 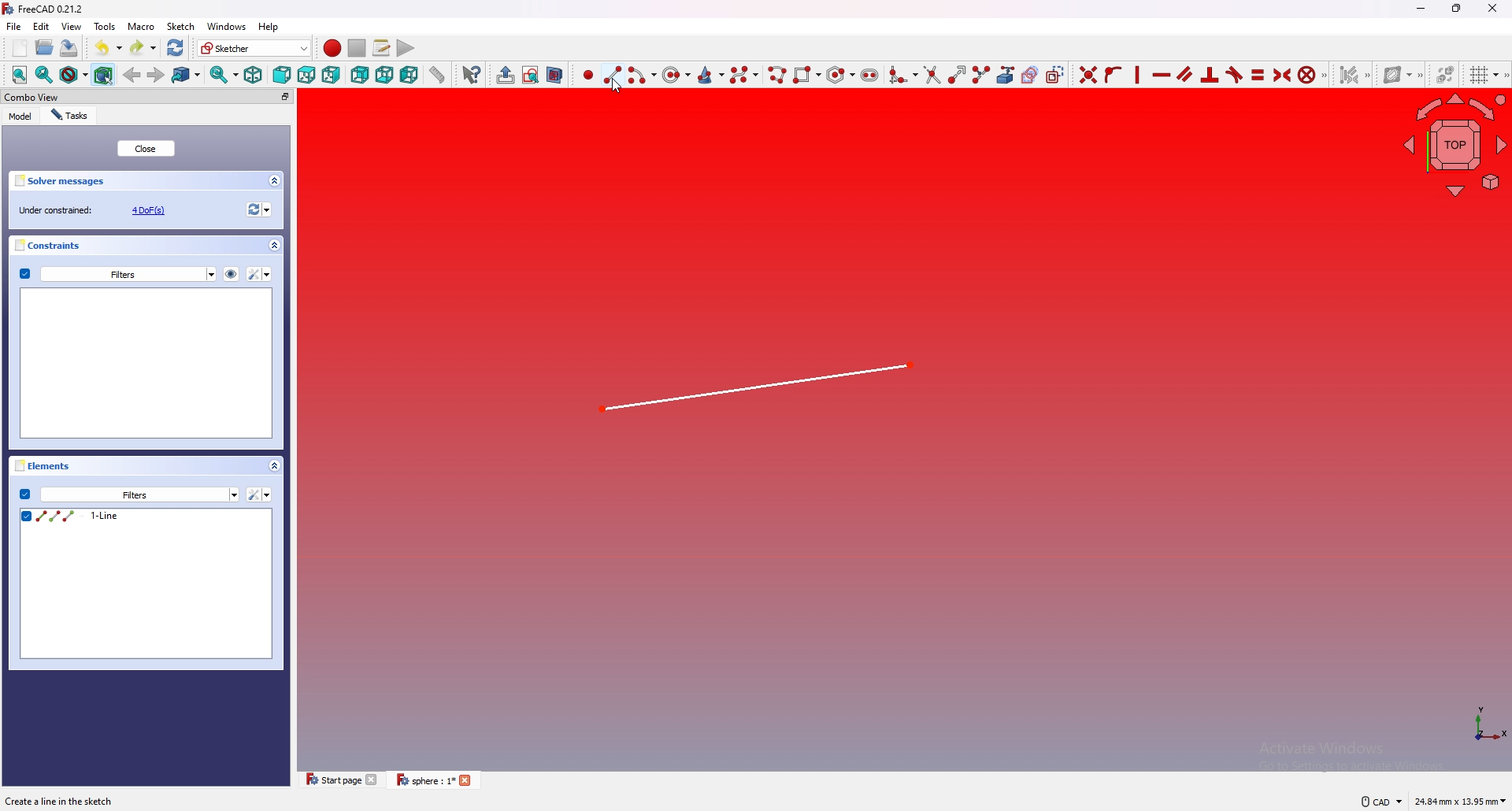 I want to click on Forces recomputation of active document, so click(x=257, y=211).